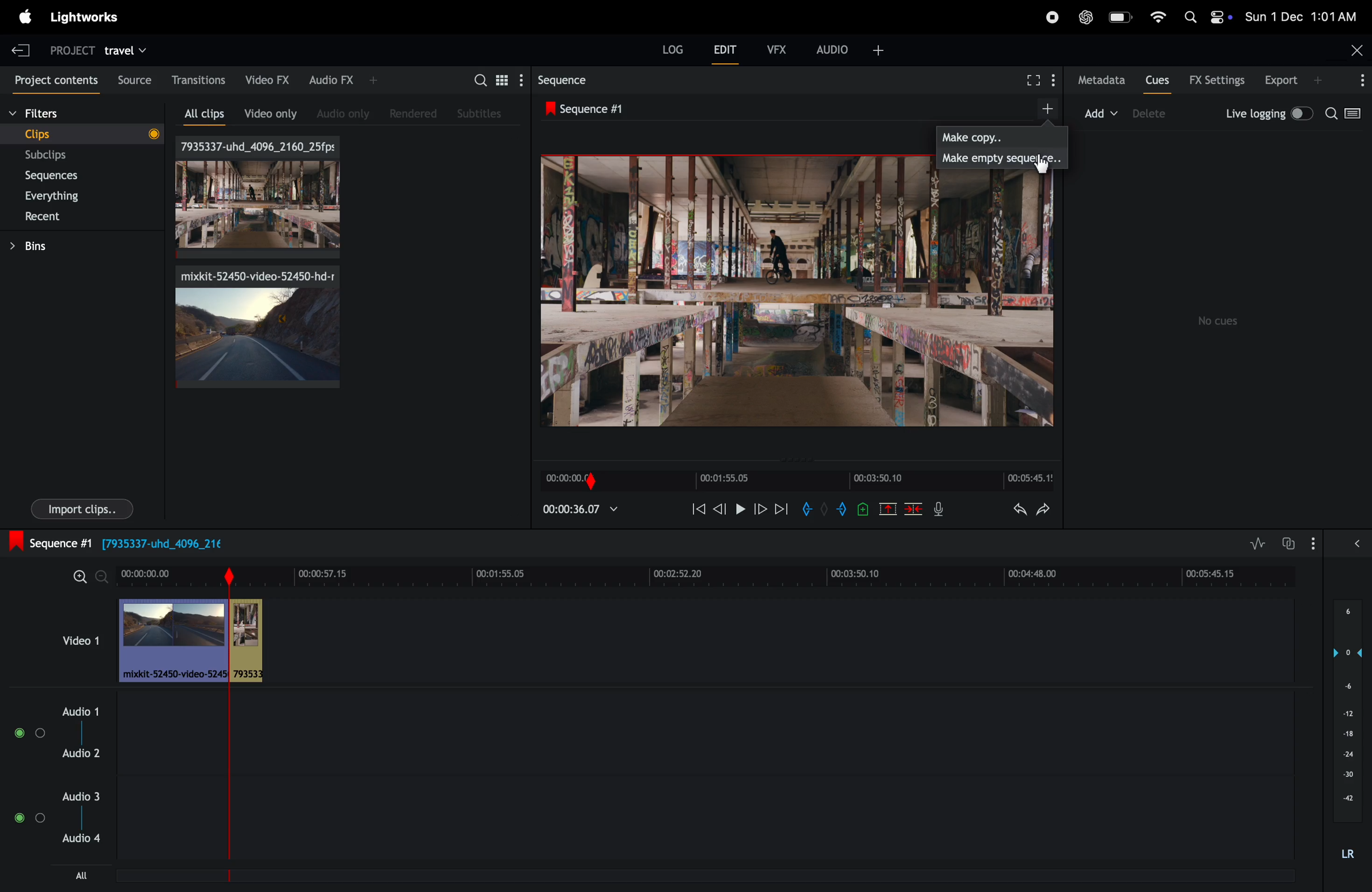 The image size is (1372, 892). Describe the element at coordinates (800, 481) in the screenshot. I see `time frame` at that location.